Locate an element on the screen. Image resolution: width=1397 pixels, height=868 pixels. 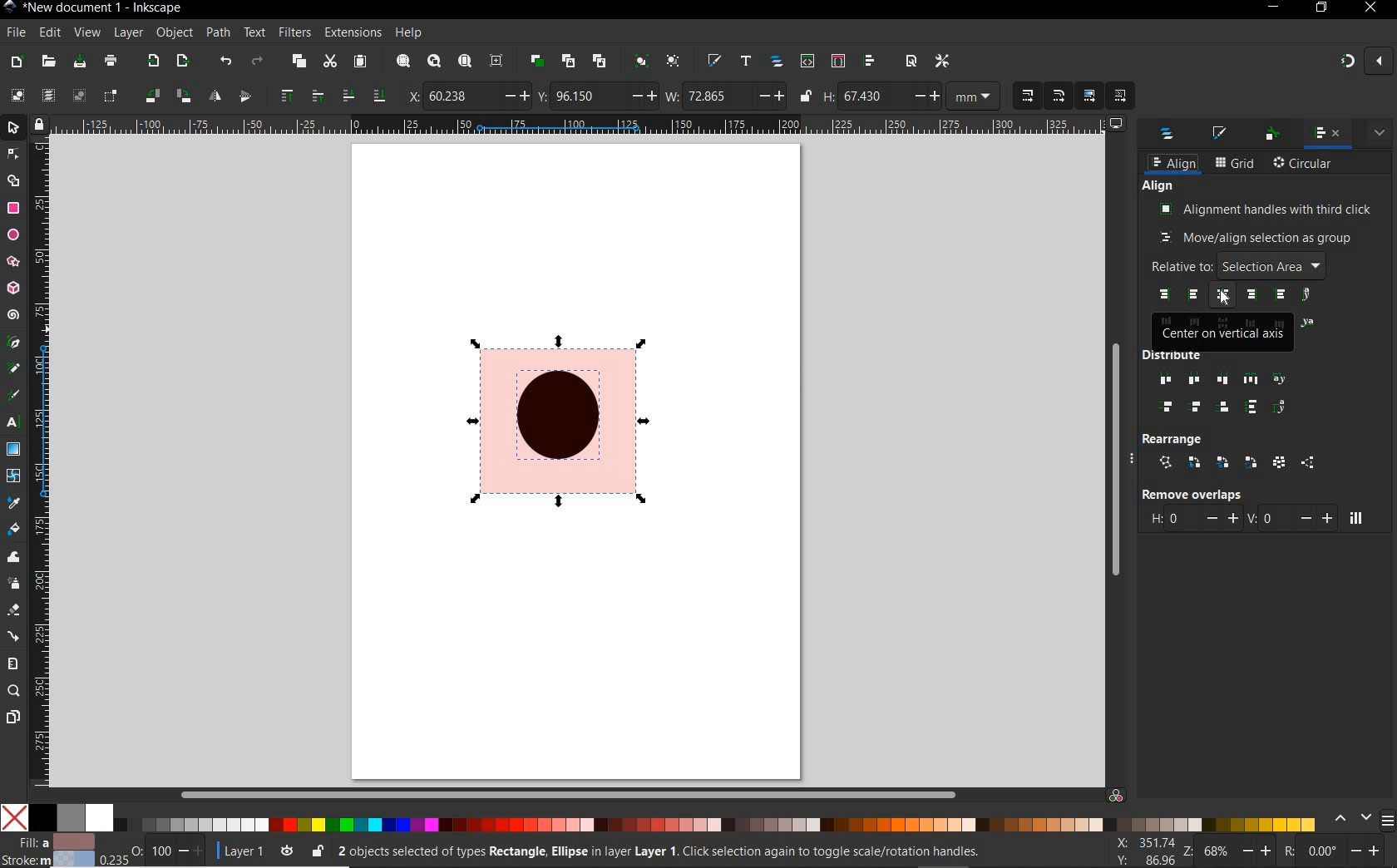
CHANGE VERTICAL is located at coordinates (1290, 517).